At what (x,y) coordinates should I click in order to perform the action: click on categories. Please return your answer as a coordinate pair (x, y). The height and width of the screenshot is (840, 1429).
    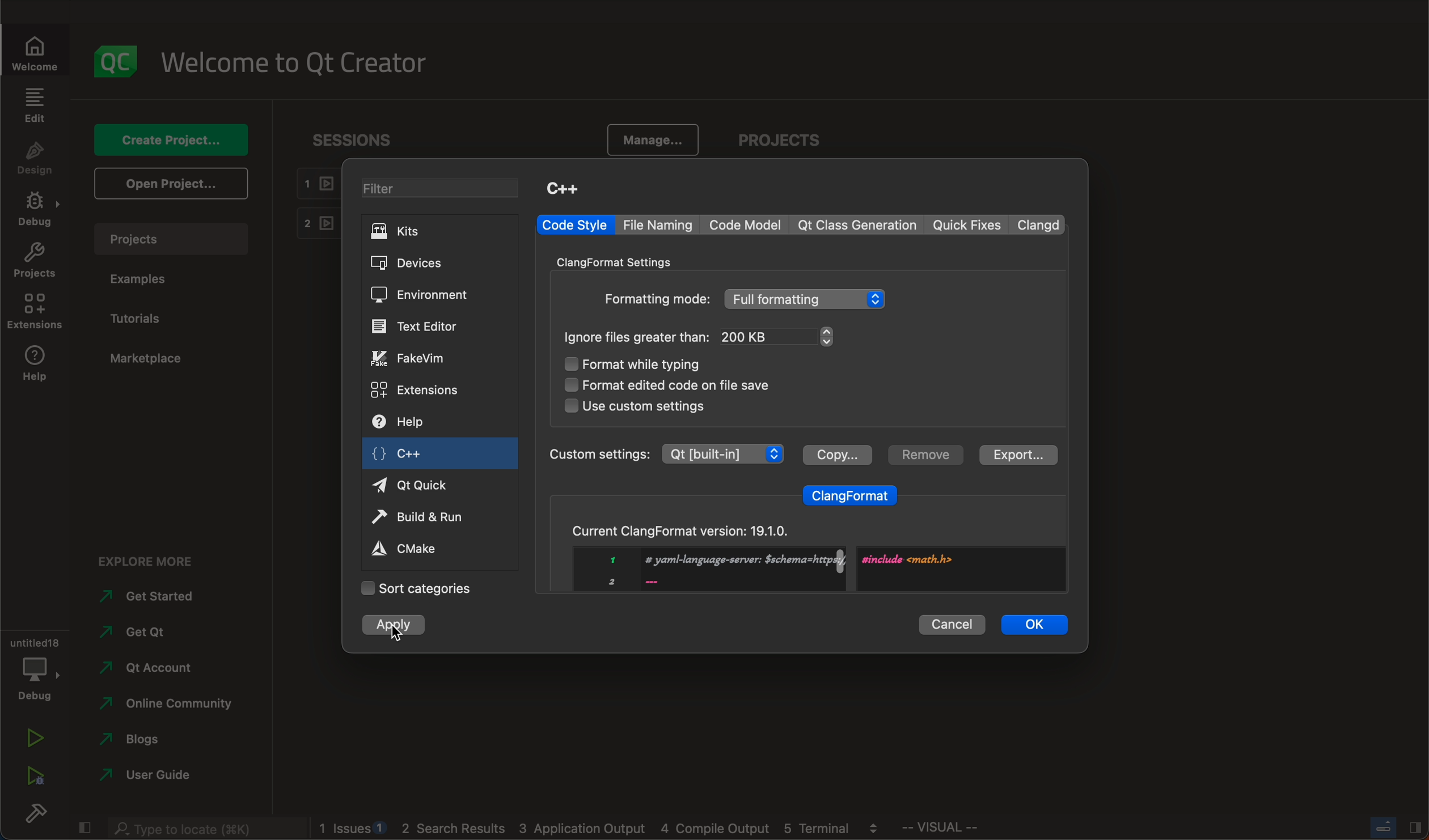
    Looking at the image, I should click on (416, 588).